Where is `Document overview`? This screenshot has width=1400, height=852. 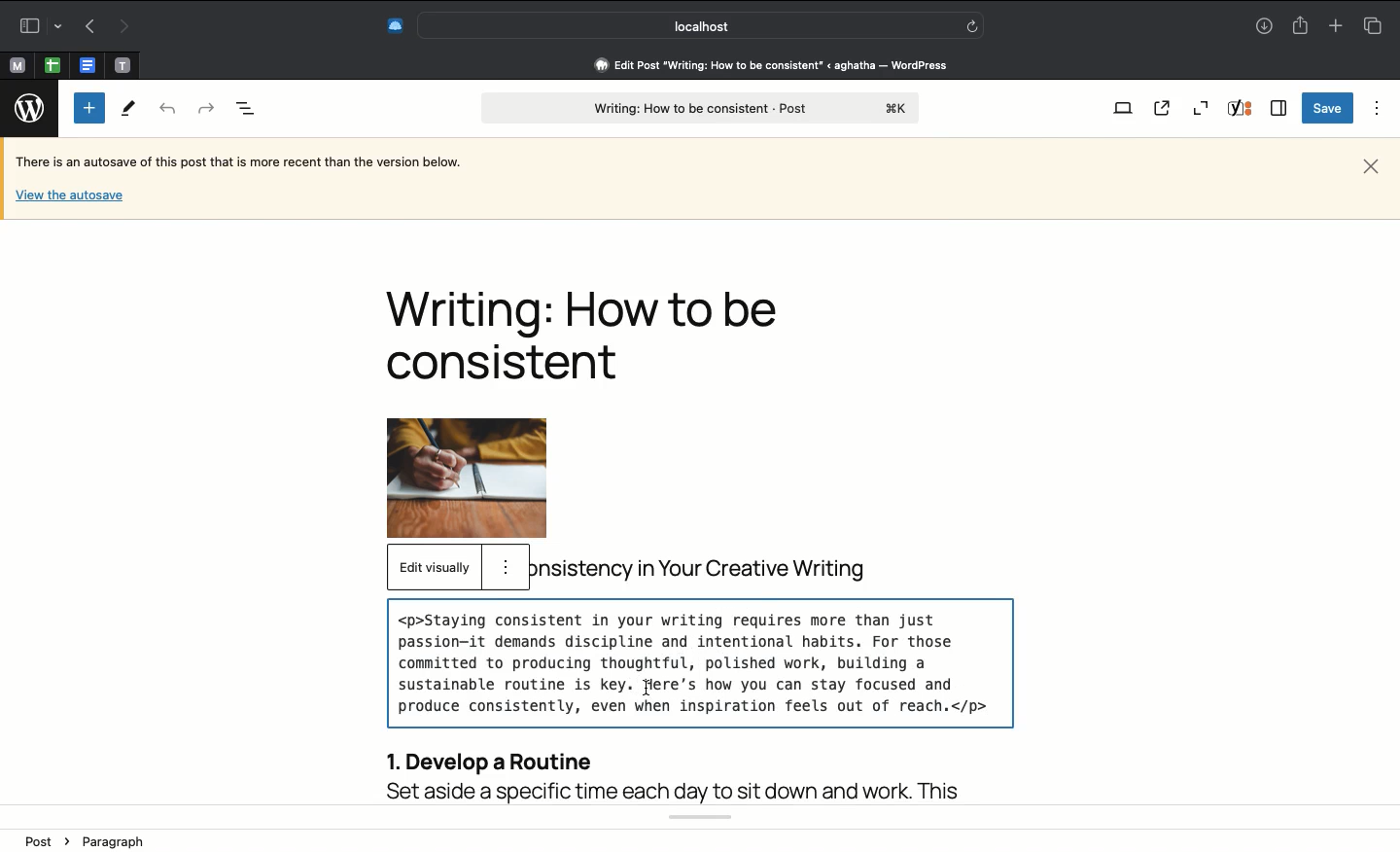 Document overview is located at coordinates (246, 110).